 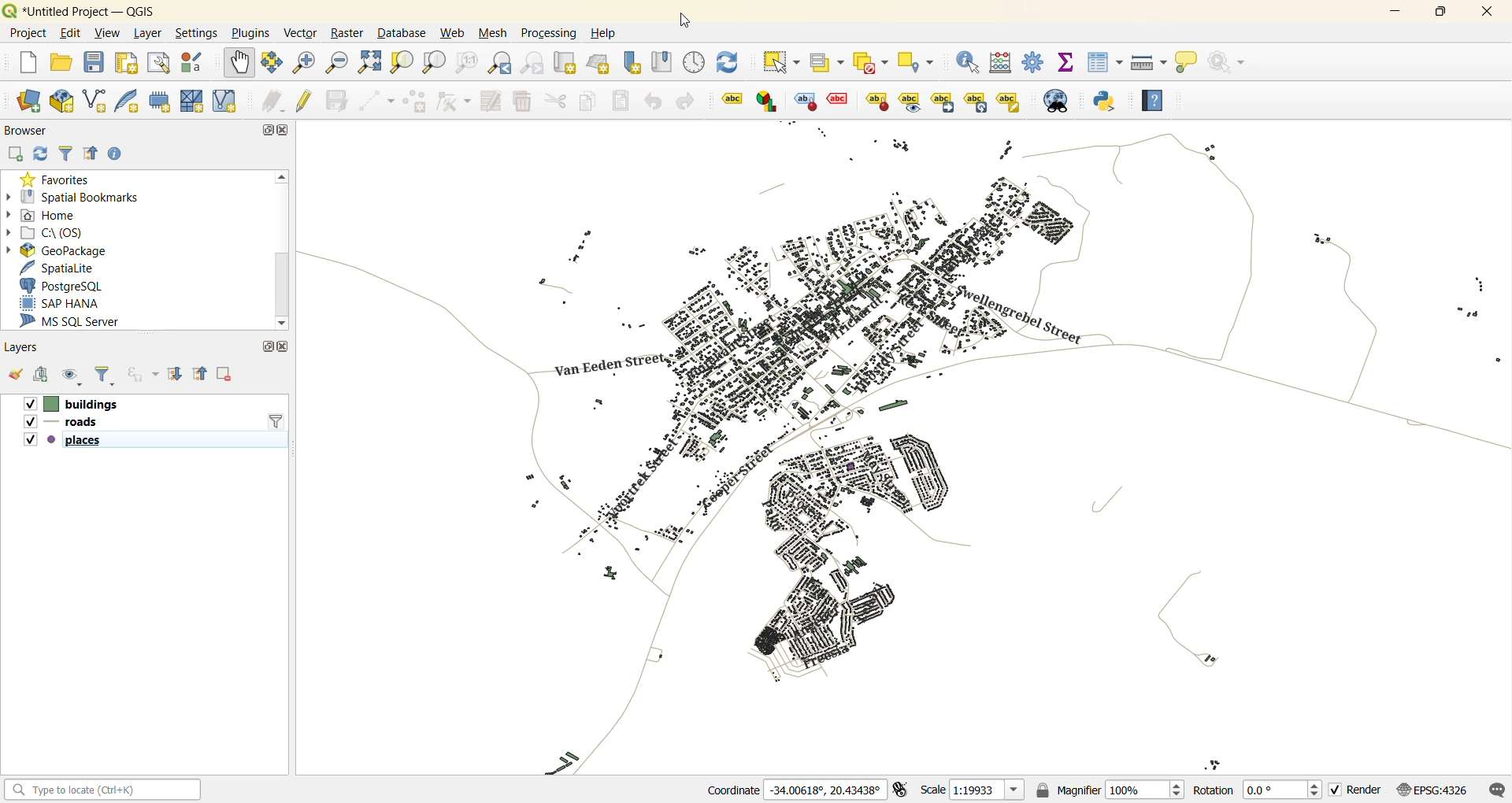 I want to click on toolbox, so click(x=1031, y=61).